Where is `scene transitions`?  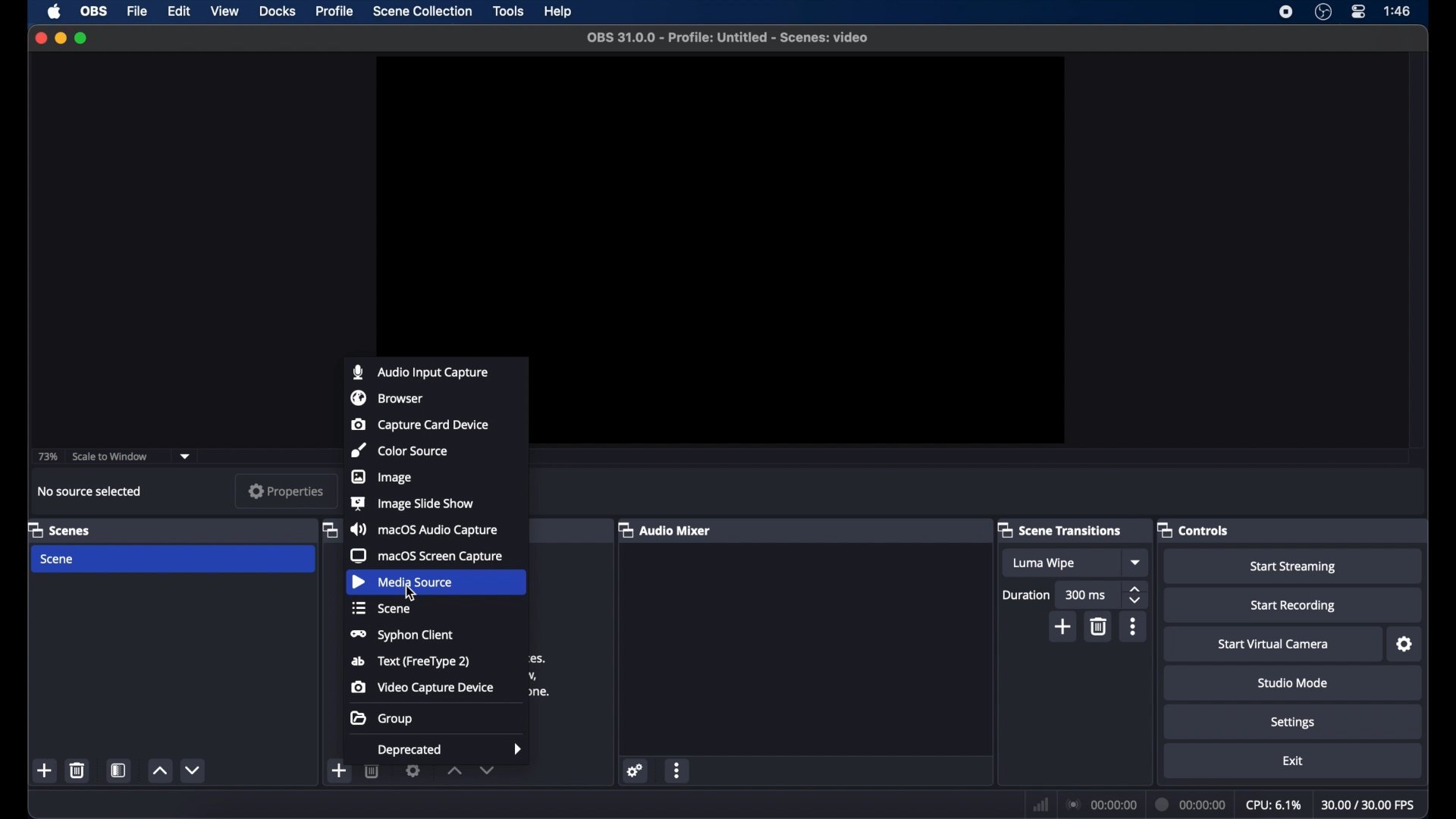
scene transitions is located at coordinates (1059, 529).